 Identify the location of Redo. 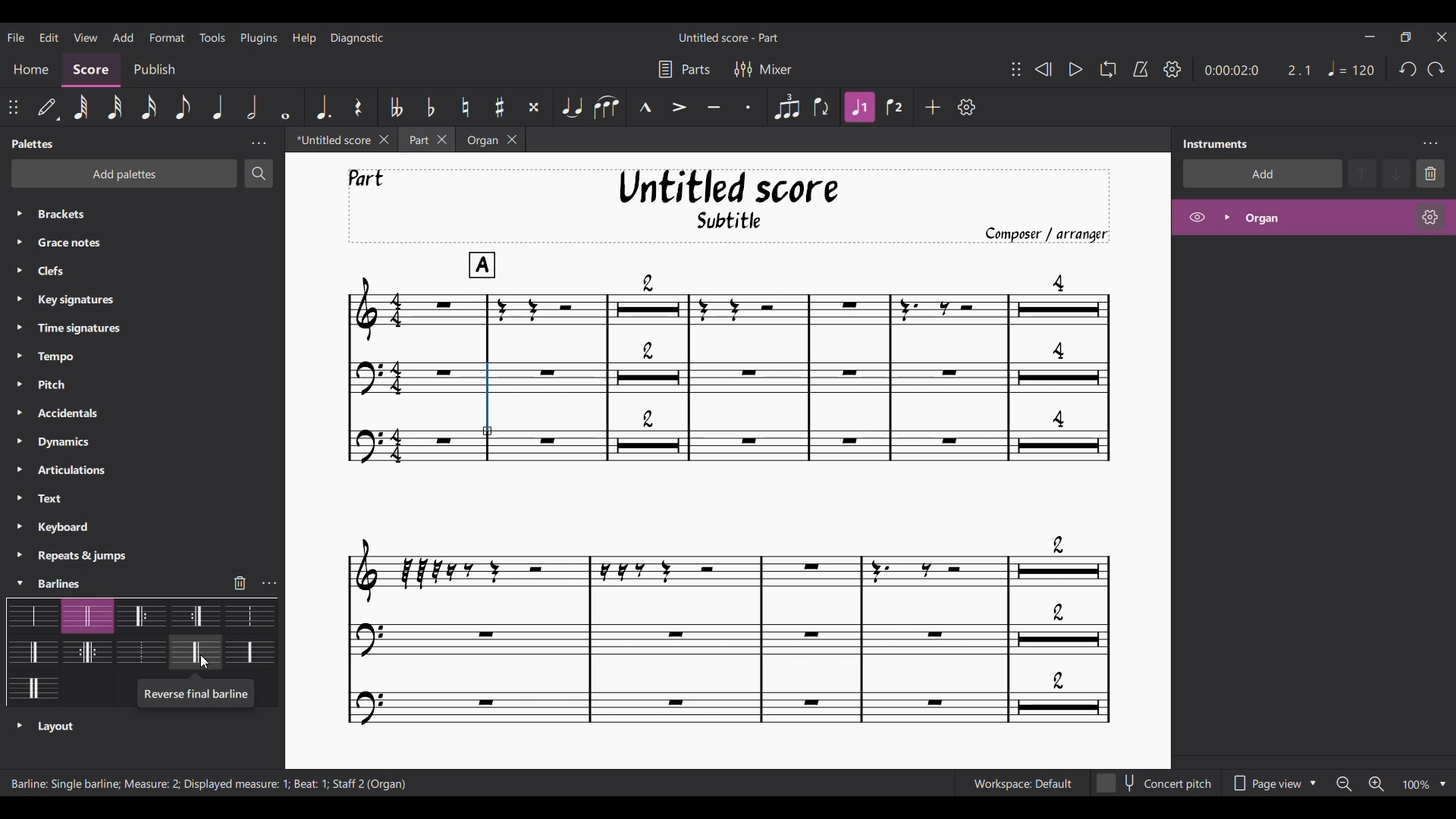
(1436, 69).